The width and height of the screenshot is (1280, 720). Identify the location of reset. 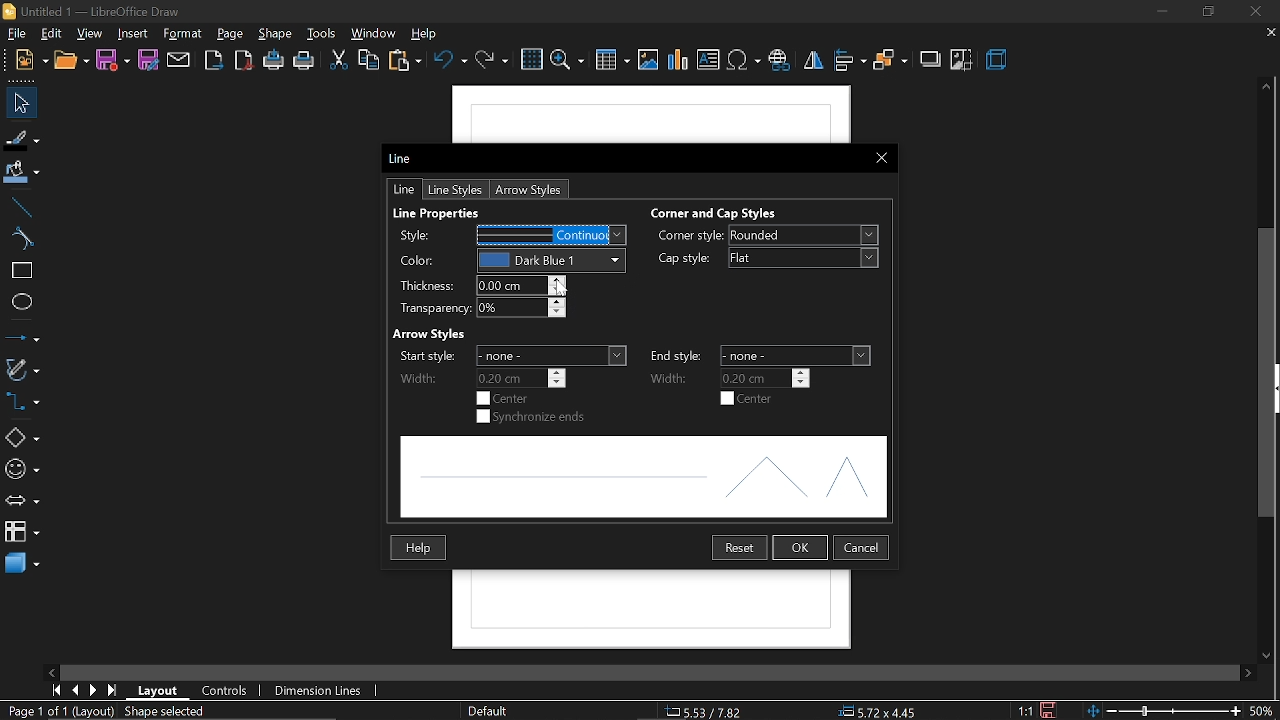
(740, 548).